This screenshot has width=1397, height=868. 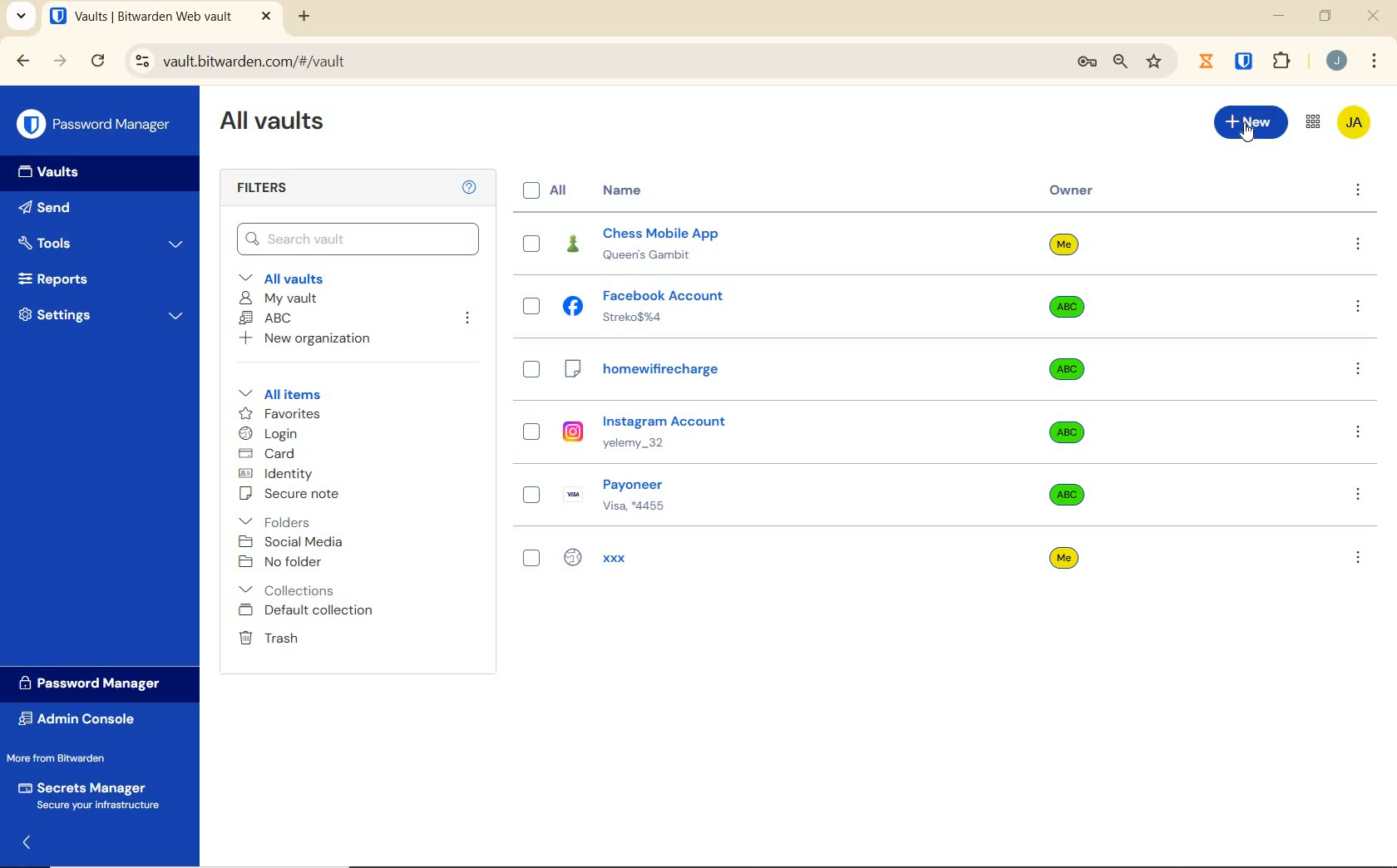 What do you see at coordinates (270, 456) in the screenshot?
I see `card` at bounding box center [270, 456].